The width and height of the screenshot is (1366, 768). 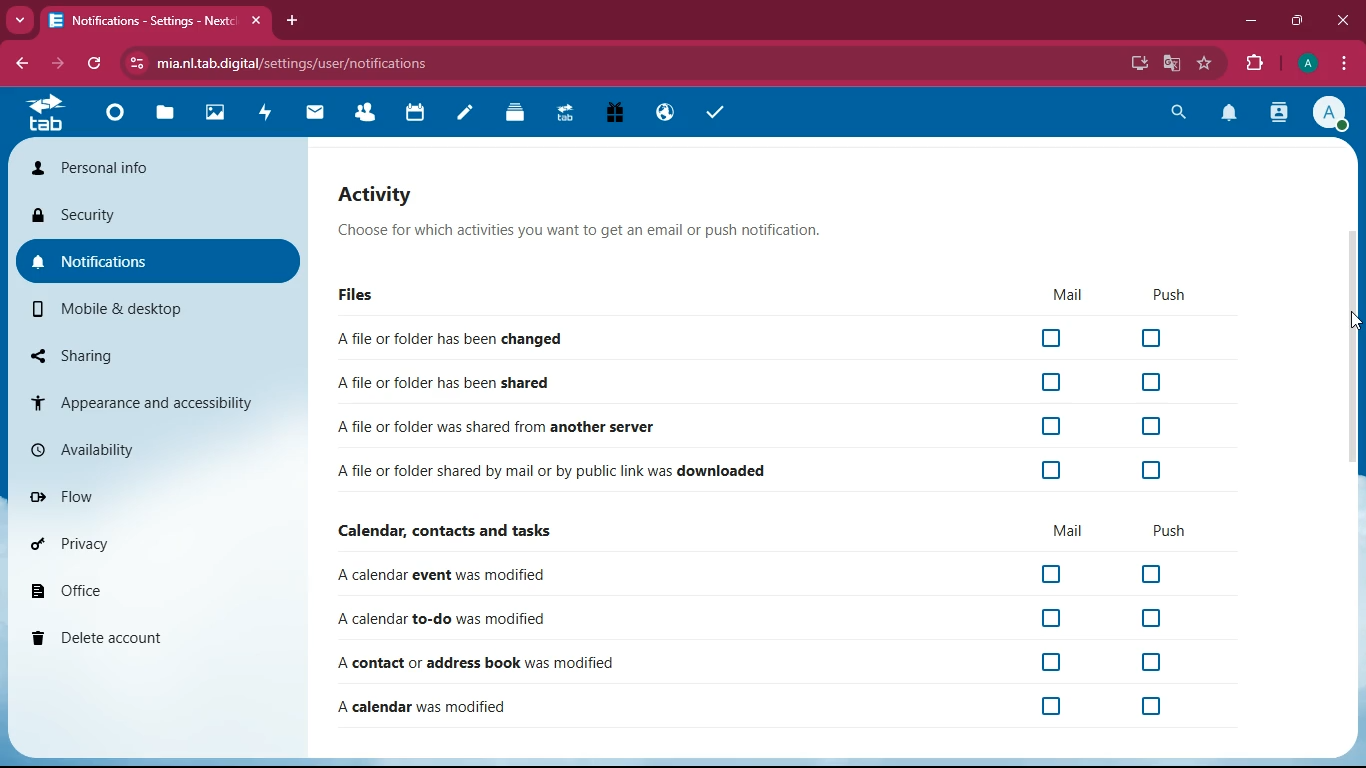 I want to click on availability, so click(x=159, y=451).